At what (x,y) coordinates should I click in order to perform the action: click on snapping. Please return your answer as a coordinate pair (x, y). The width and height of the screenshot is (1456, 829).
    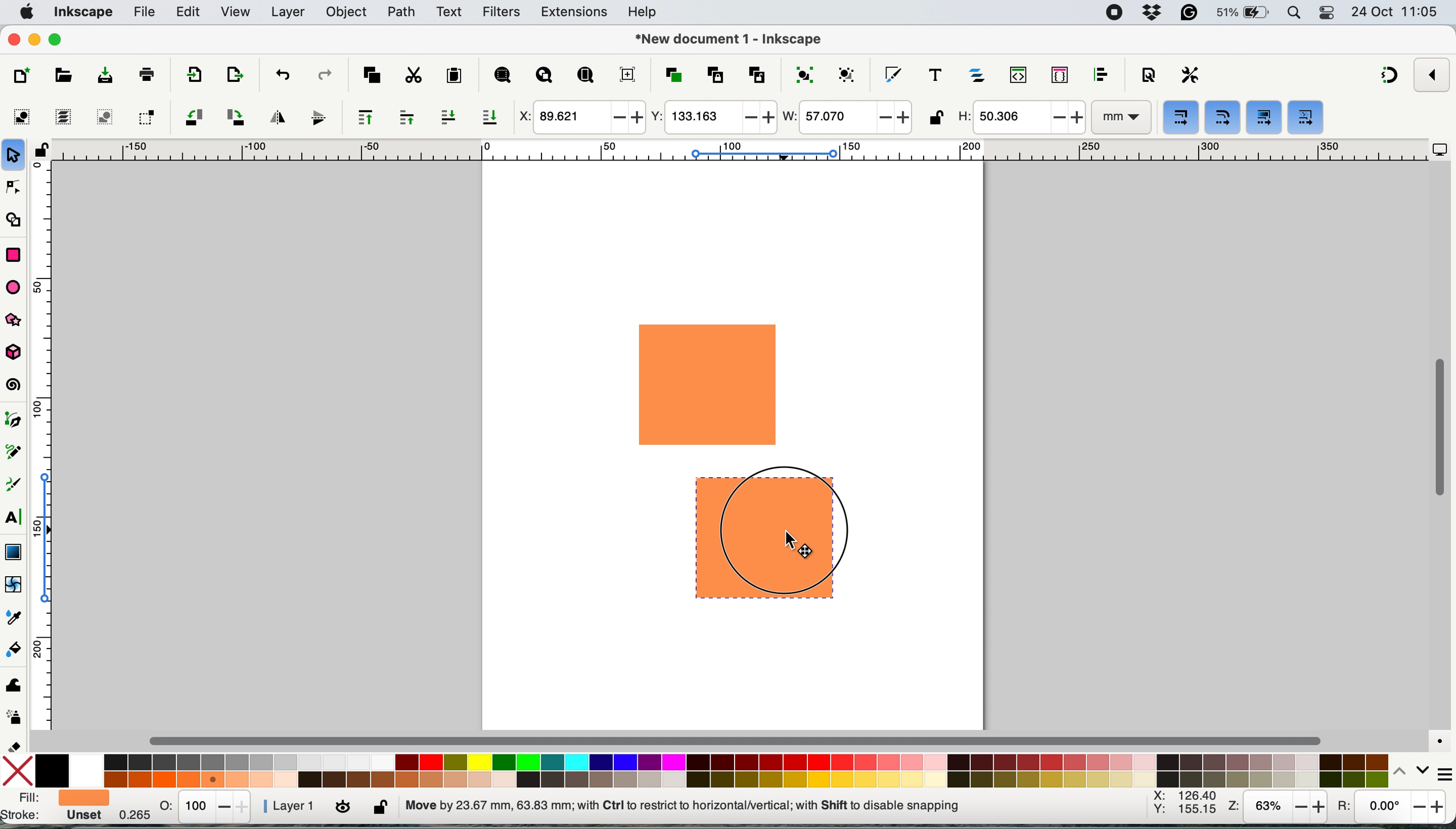
    Looking at the image, I should click on (1391, 76).